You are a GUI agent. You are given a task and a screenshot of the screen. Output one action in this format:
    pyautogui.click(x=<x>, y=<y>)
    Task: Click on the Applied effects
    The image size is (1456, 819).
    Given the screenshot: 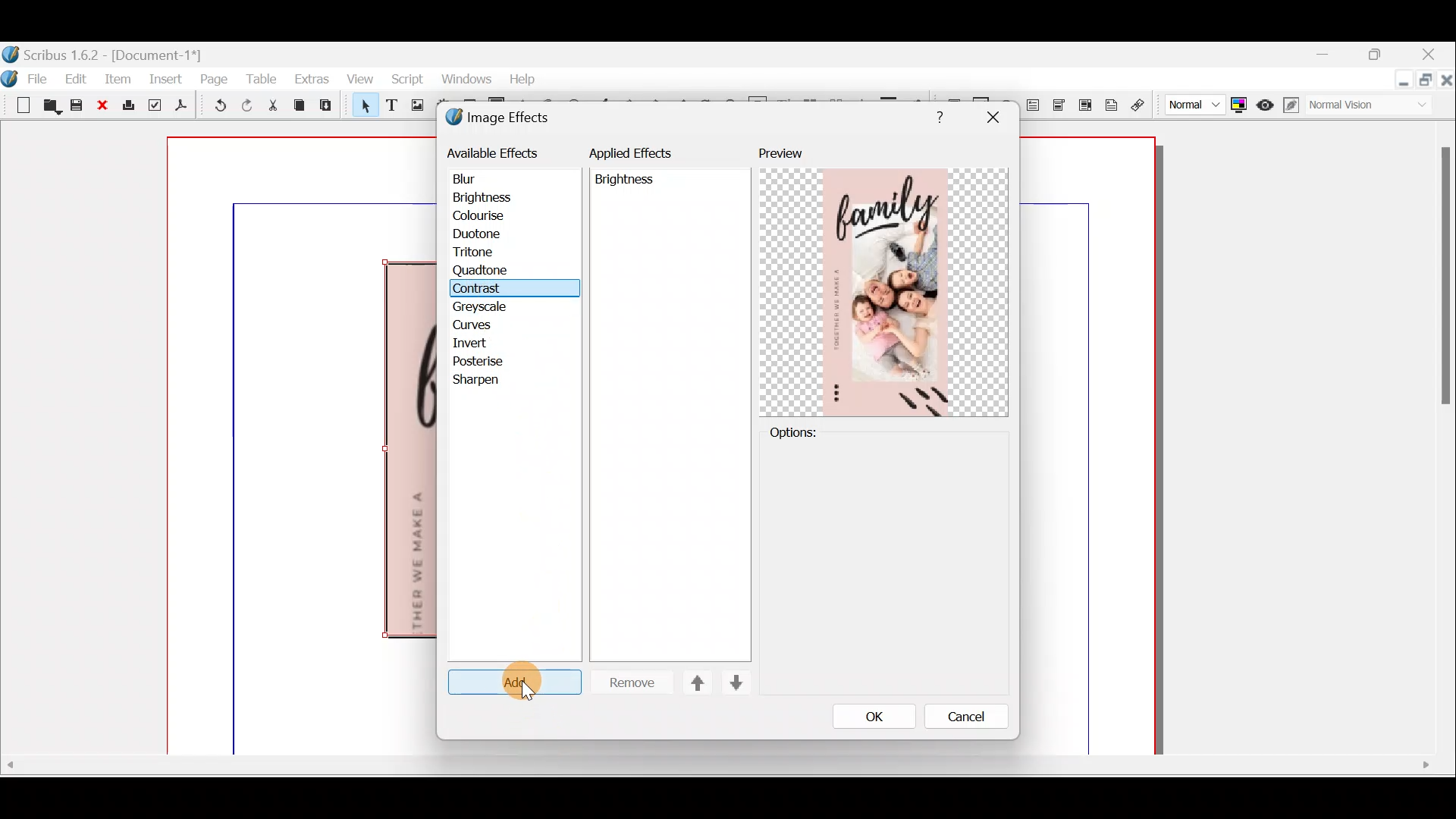 What is the action you would take?
    pyautogui.click(x=643, y=157)
    